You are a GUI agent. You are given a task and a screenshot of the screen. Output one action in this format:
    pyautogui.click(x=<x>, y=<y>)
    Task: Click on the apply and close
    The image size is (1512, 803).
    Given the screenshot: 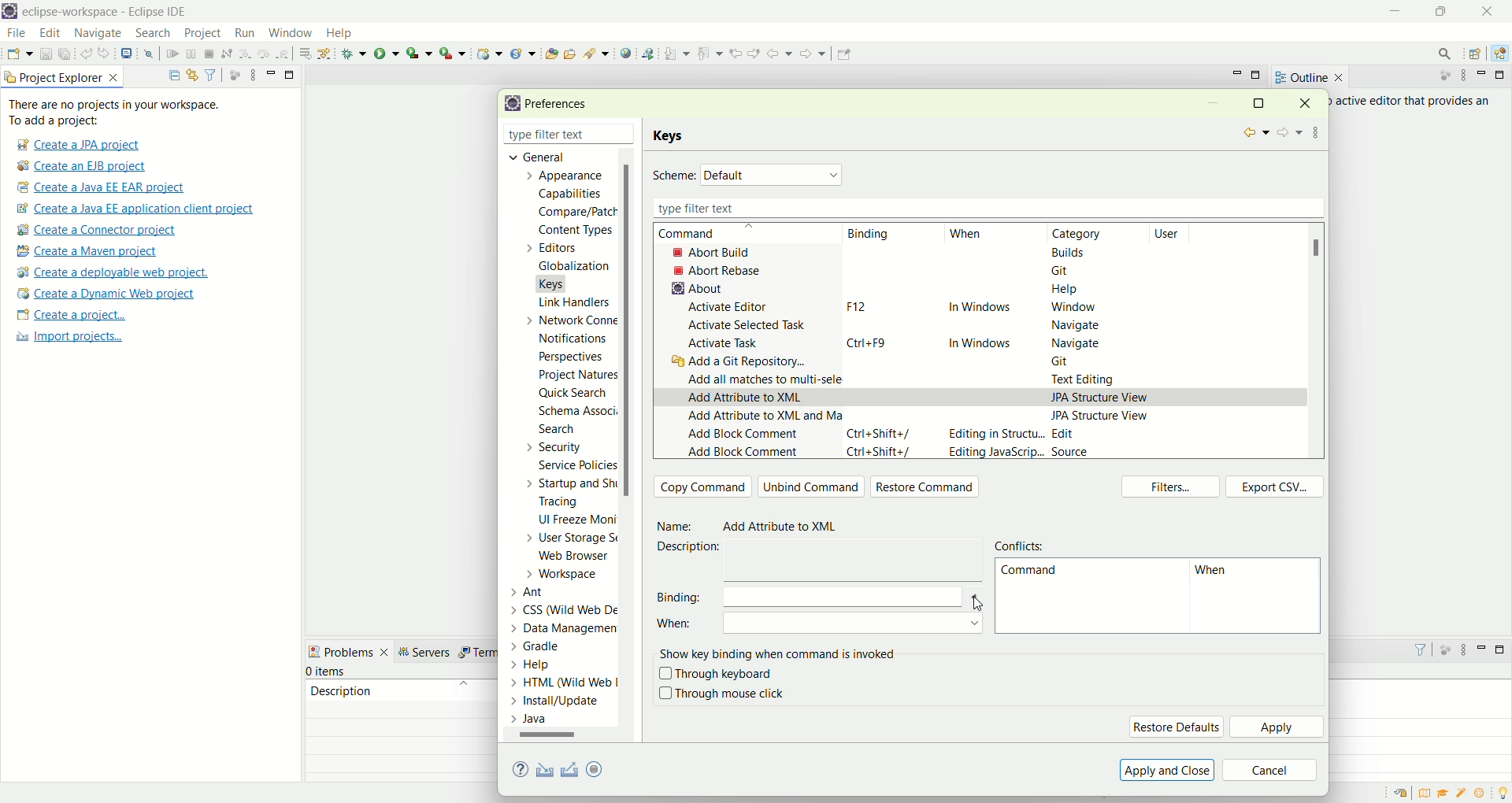 What is the action you would take?
    pyautogui.click(x=1165, y=770)
    